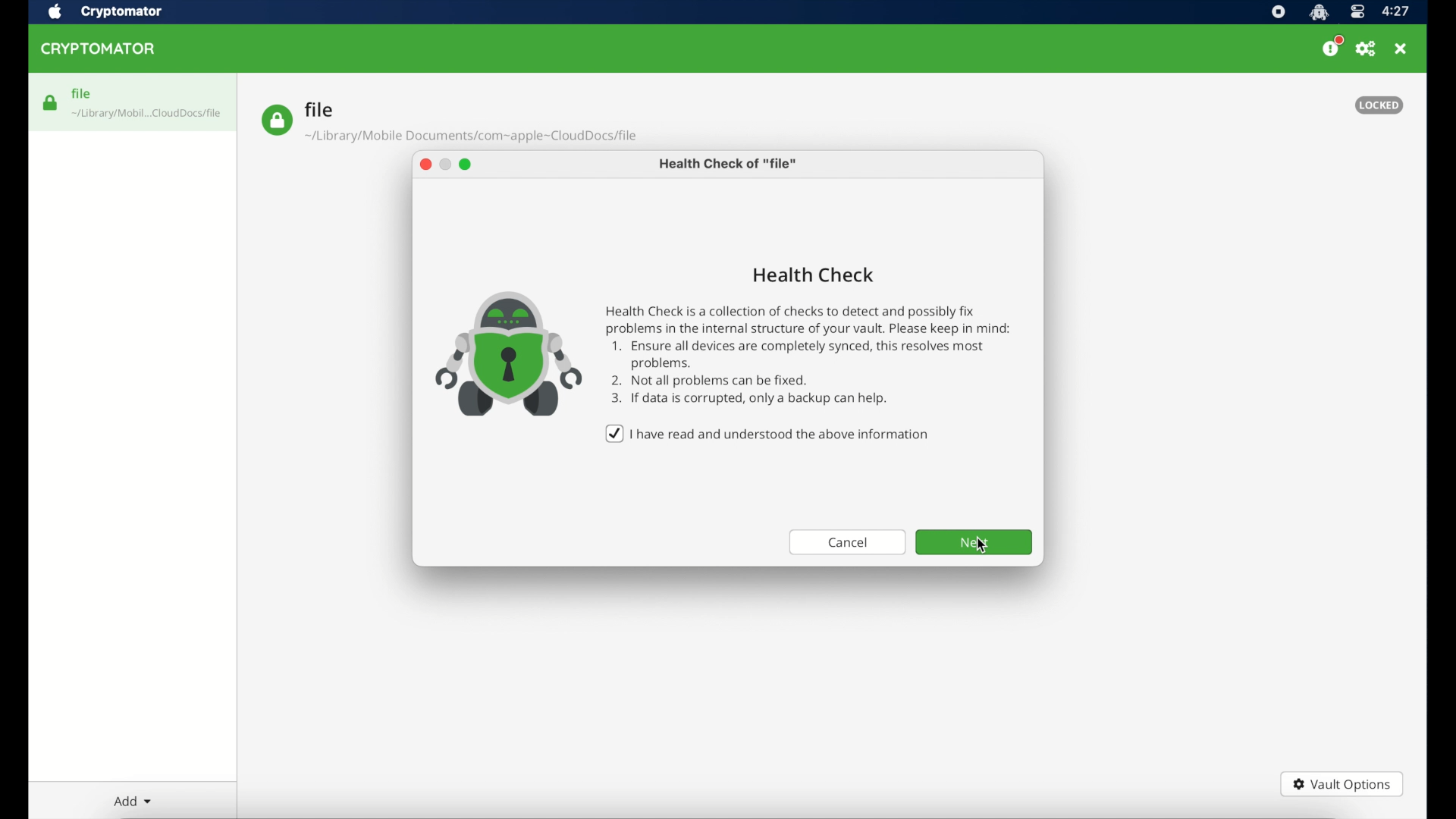  What do you see at coordinates (133, 102) in the screenshot?
I see `file highlighted` at bounding box center [133, 102].